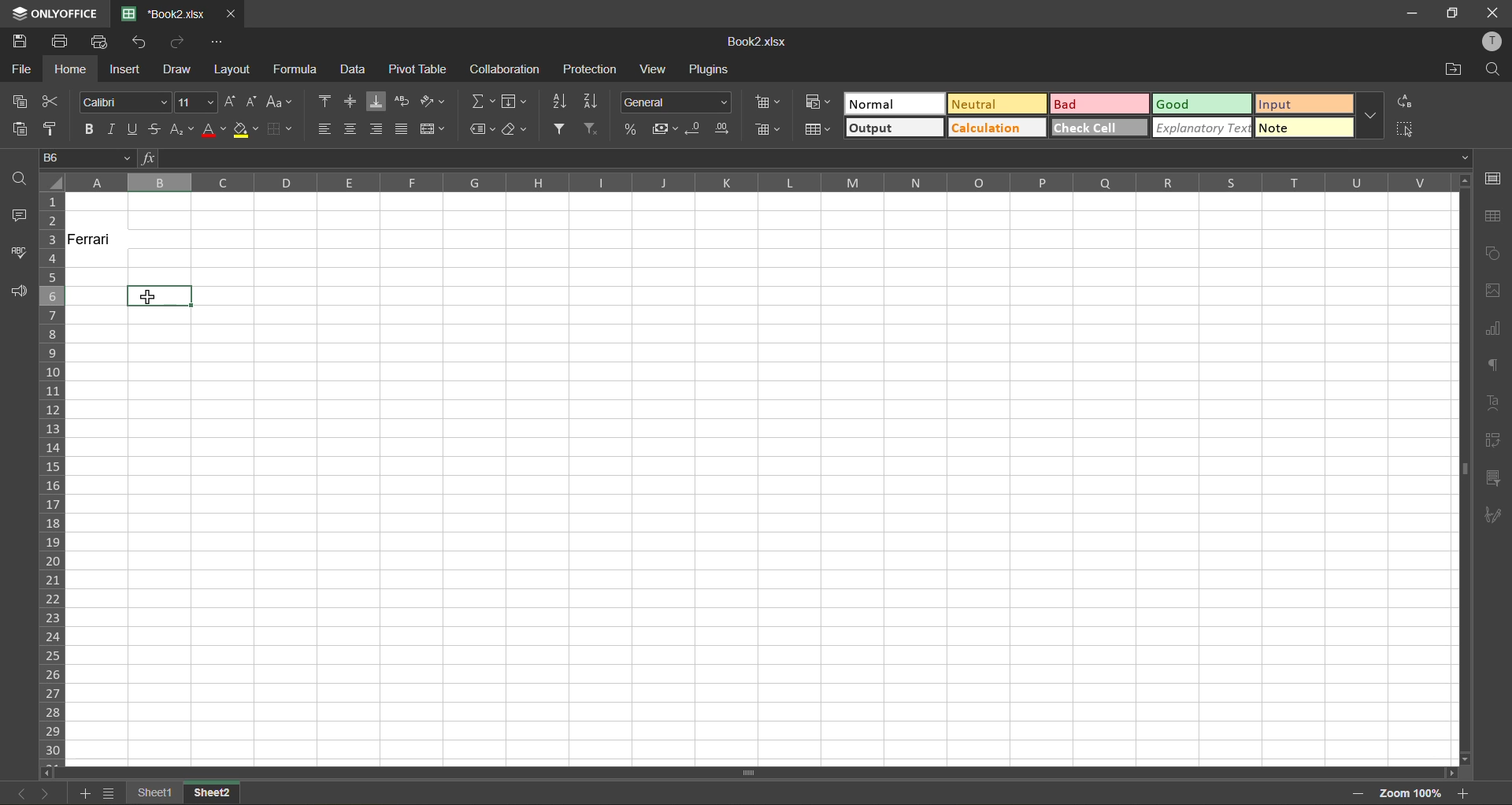 This screenshot has width=1512, height=805. What do you see at coordinates (1371, 114) in the screenshot?
I see `more options` at bounding box center [1371, 114].